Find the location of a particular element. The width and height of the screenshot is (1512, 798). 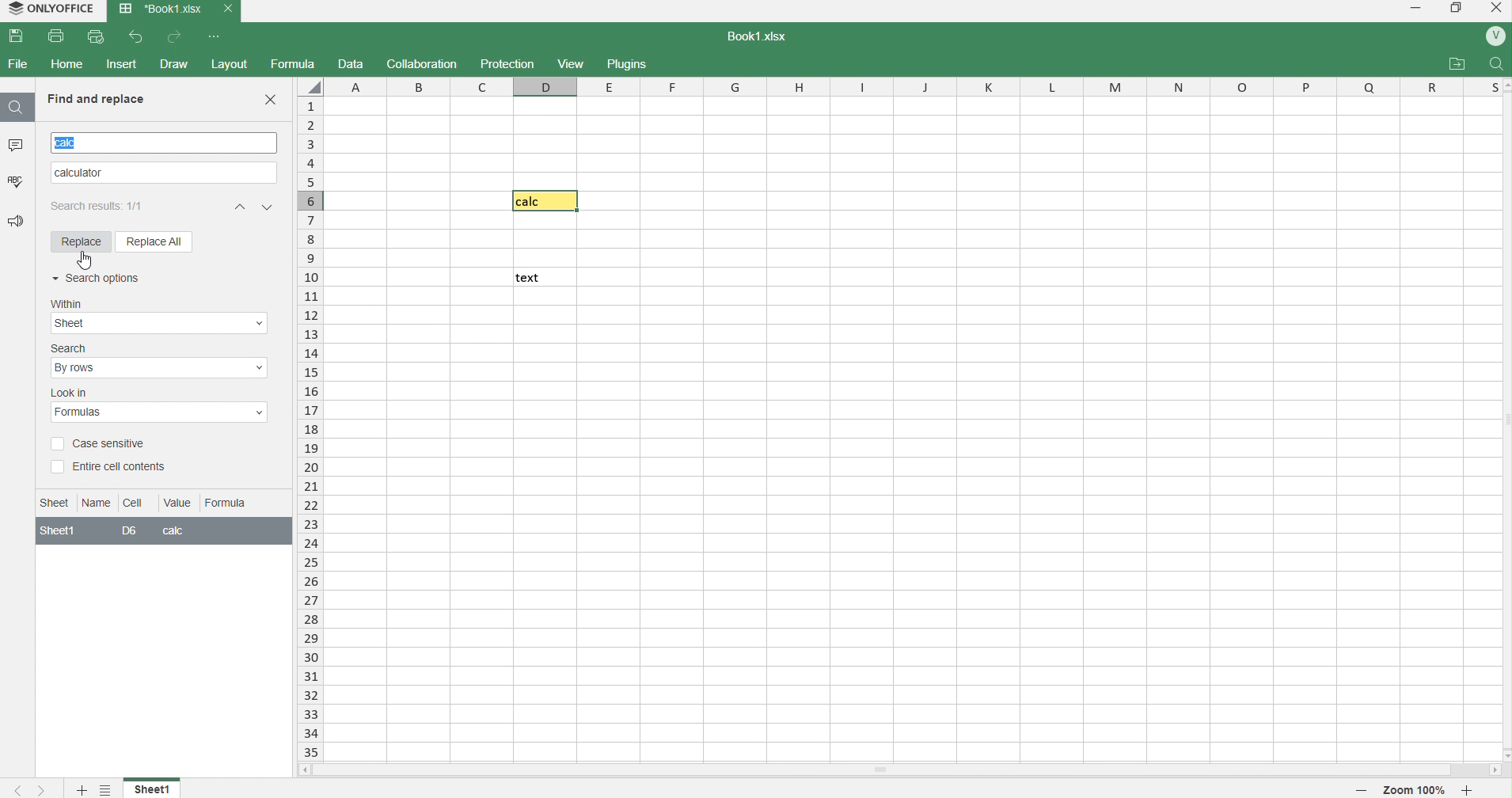

Entire Cell Contents is located at coordinates (113, 466).